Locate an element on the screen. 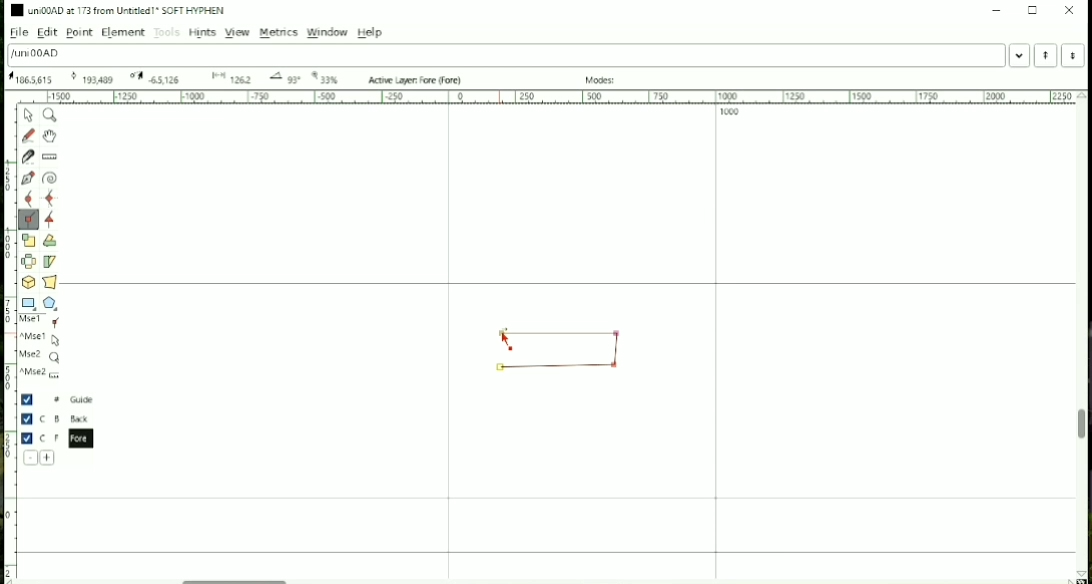  Minimize is located at coordinates (995, 10).